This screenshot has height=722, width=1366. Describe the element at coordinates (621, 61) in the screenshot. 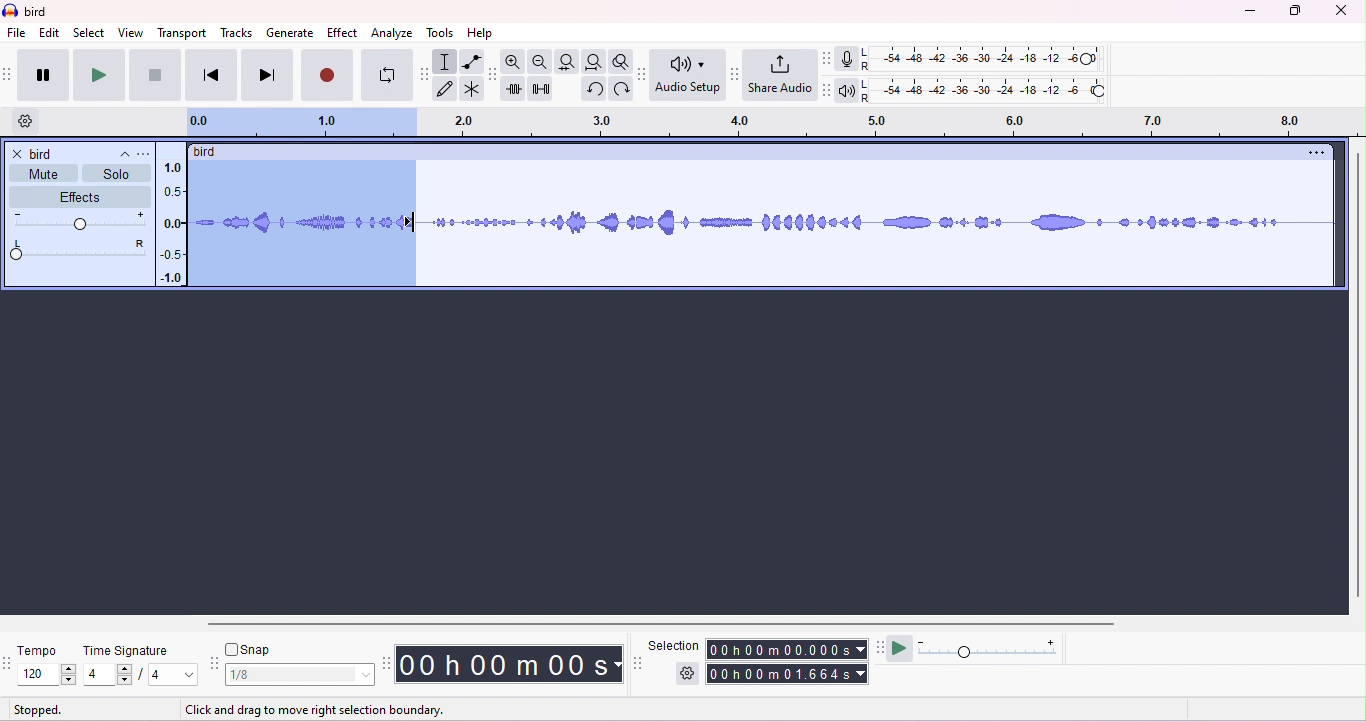

I see `toggle zoom` at that location.